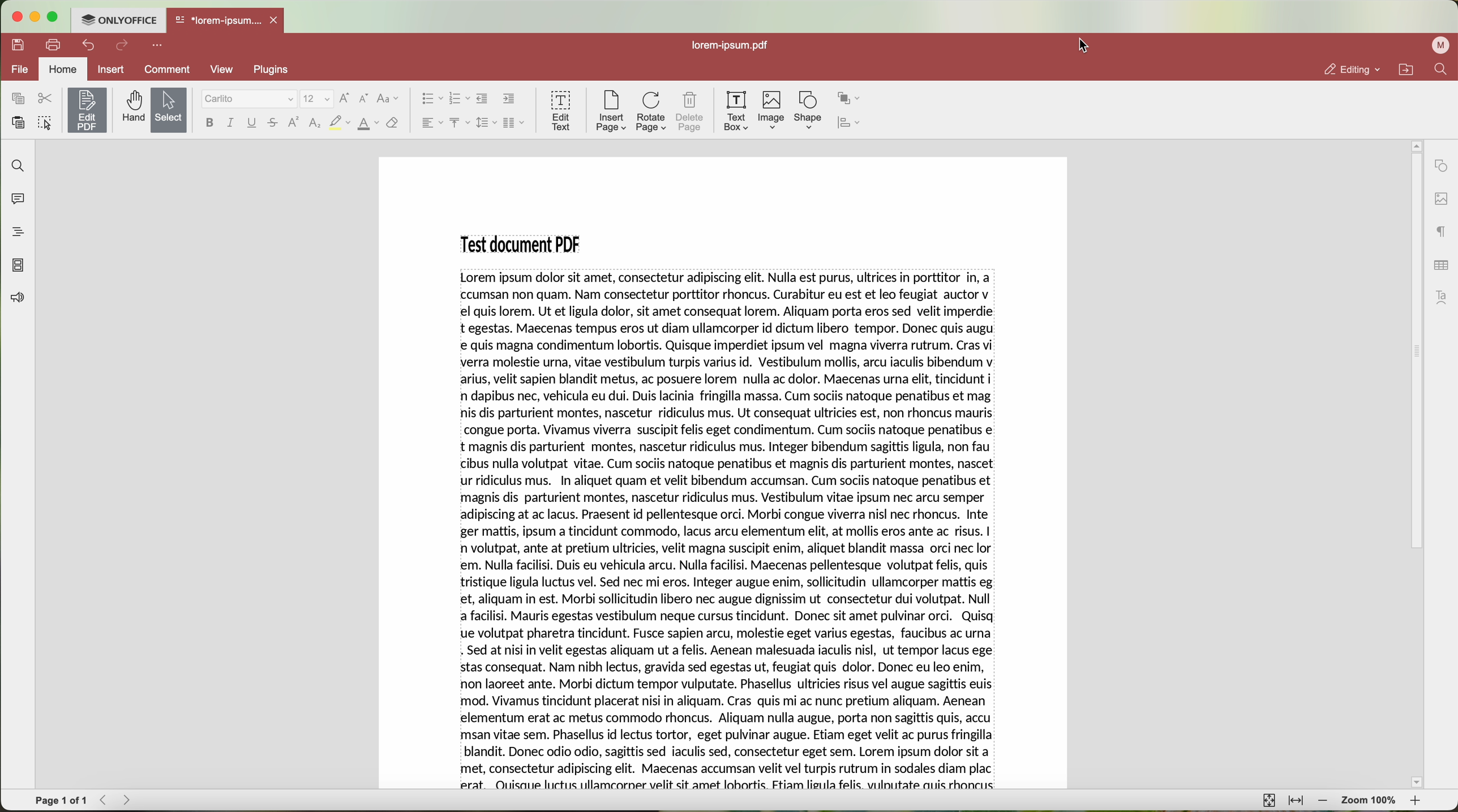  I want to click on file, so click(21, 70).